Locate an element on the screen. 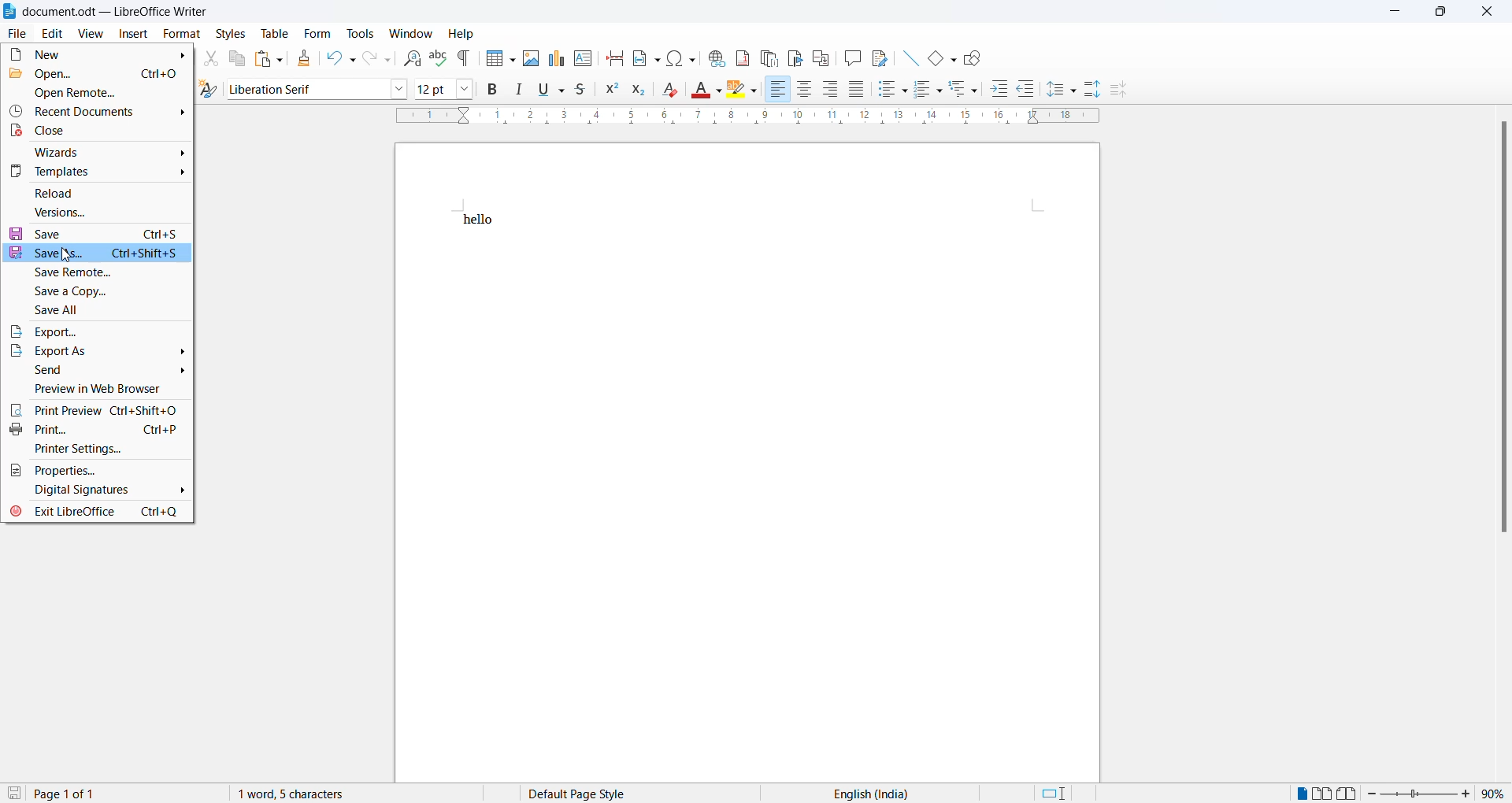  Clone formatting is located at coordinates (300, 58).